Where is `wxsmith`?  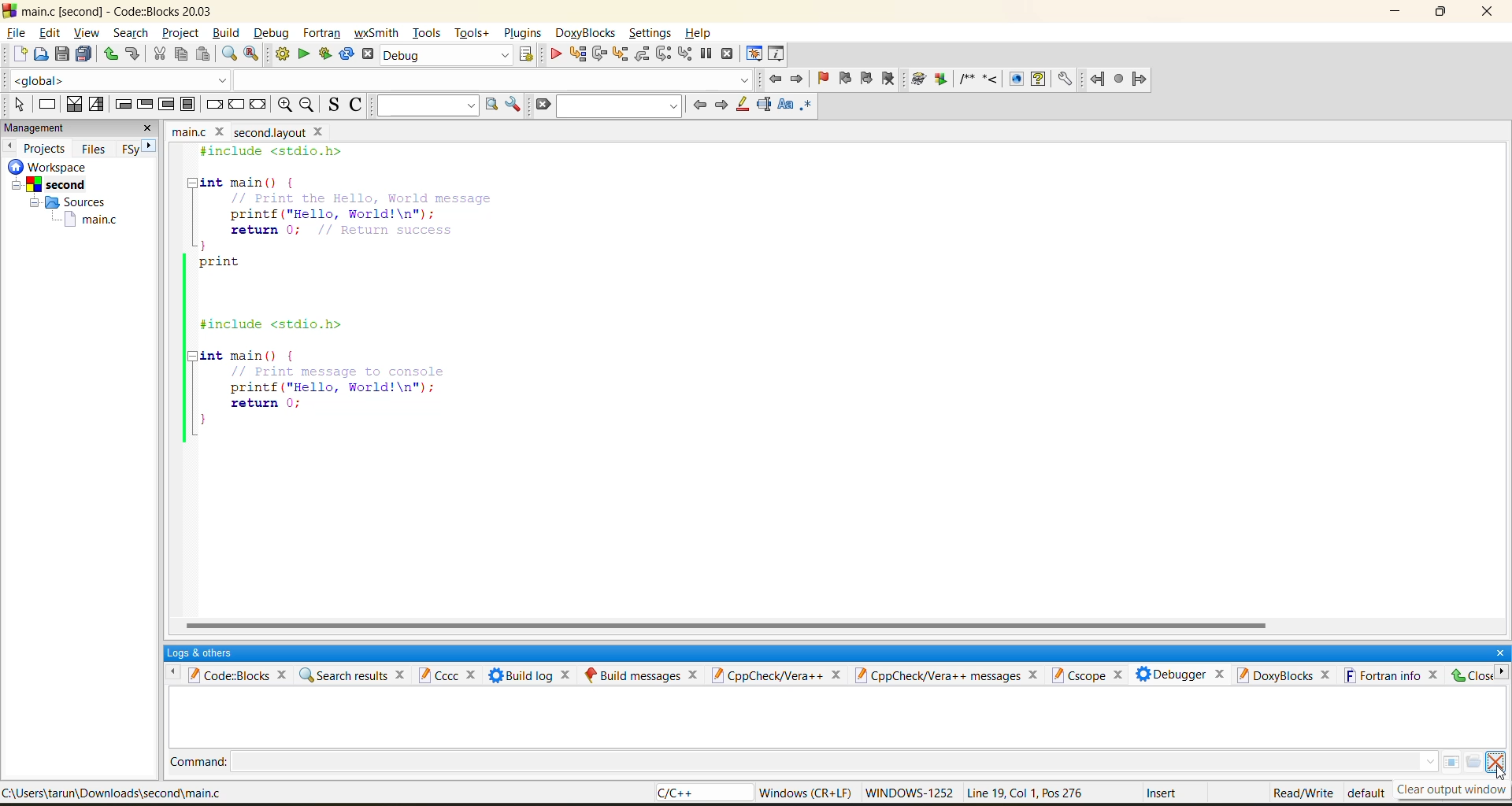 wxsmith is located at coordinates (376, 31).